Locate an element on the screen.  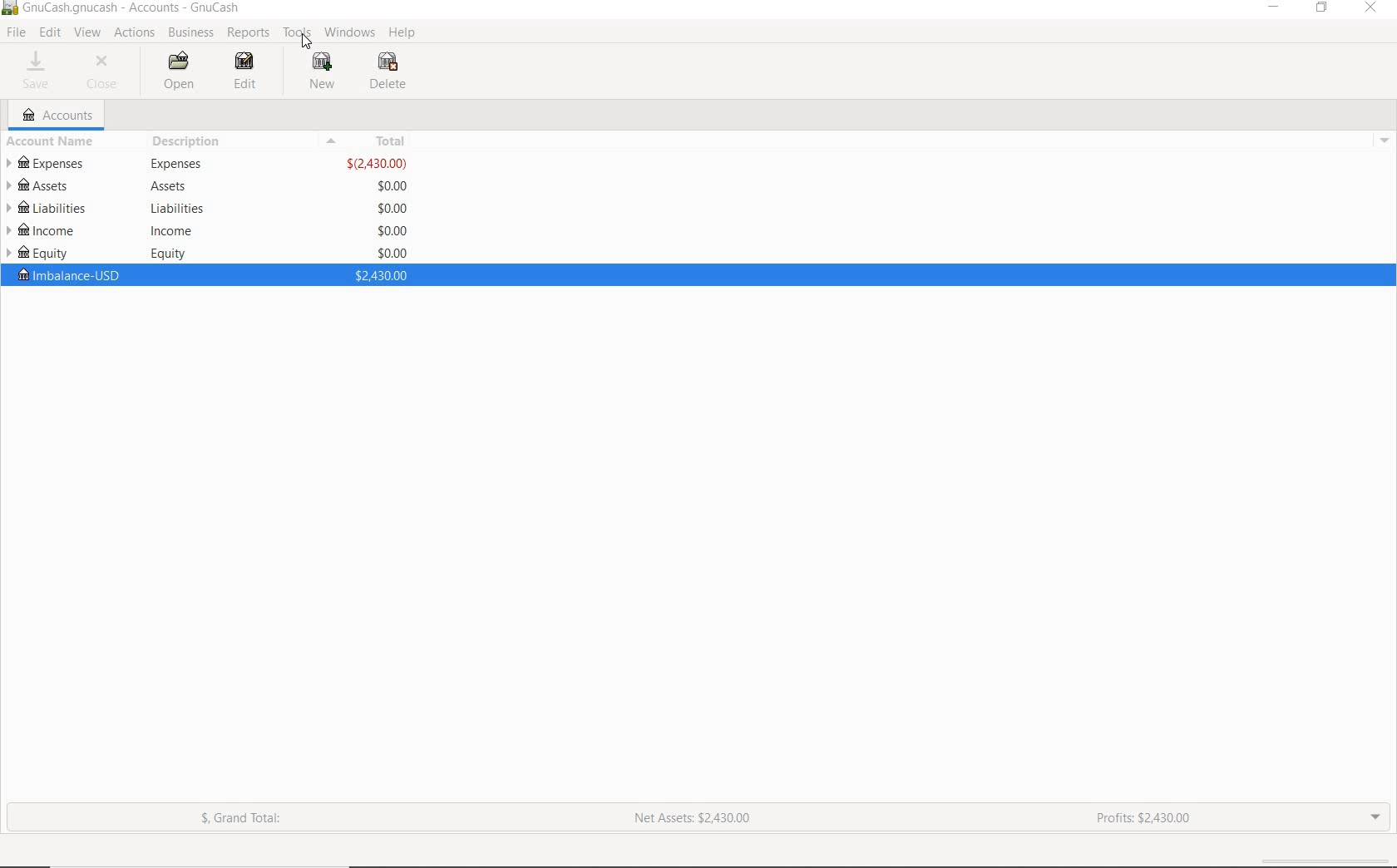
WINDOWS is located at coordinates (350, 33).